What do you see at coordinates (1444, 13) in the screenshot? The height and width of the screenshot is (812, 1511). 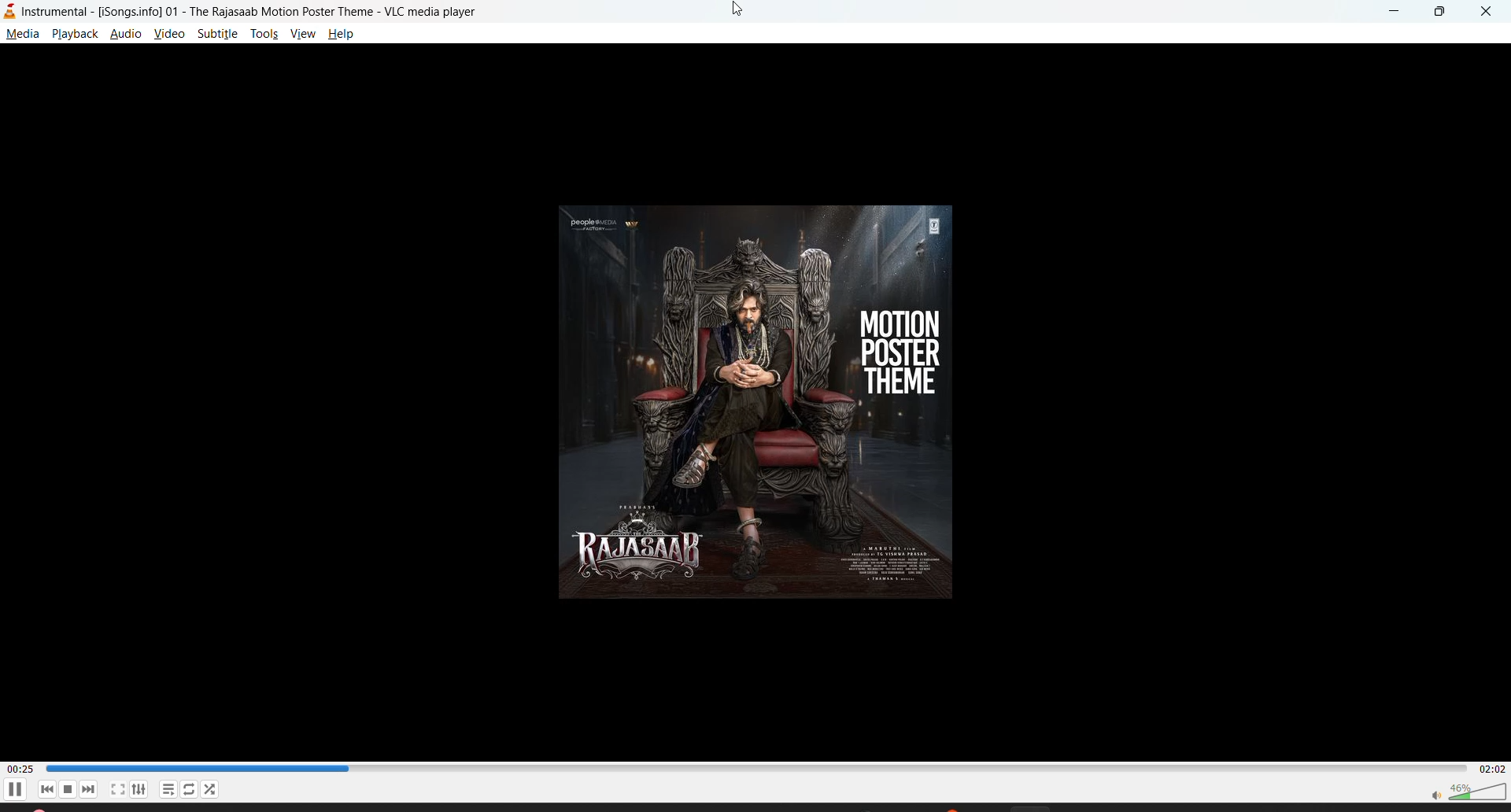 I see `maximize` at bounding box center [1444, 13].